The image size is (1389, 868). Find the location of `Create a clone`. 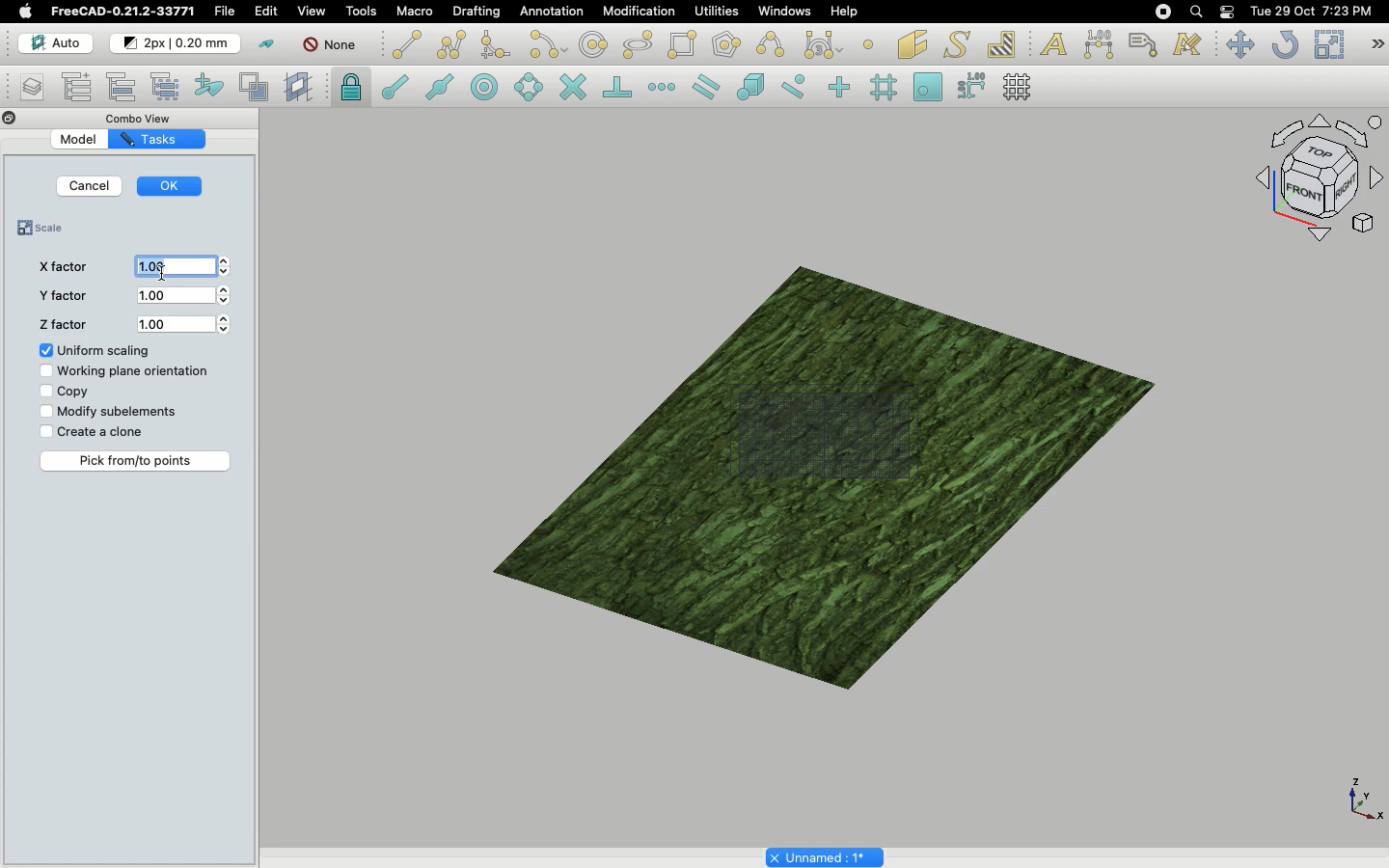

Create a clone is located at coordinates (92, 431).